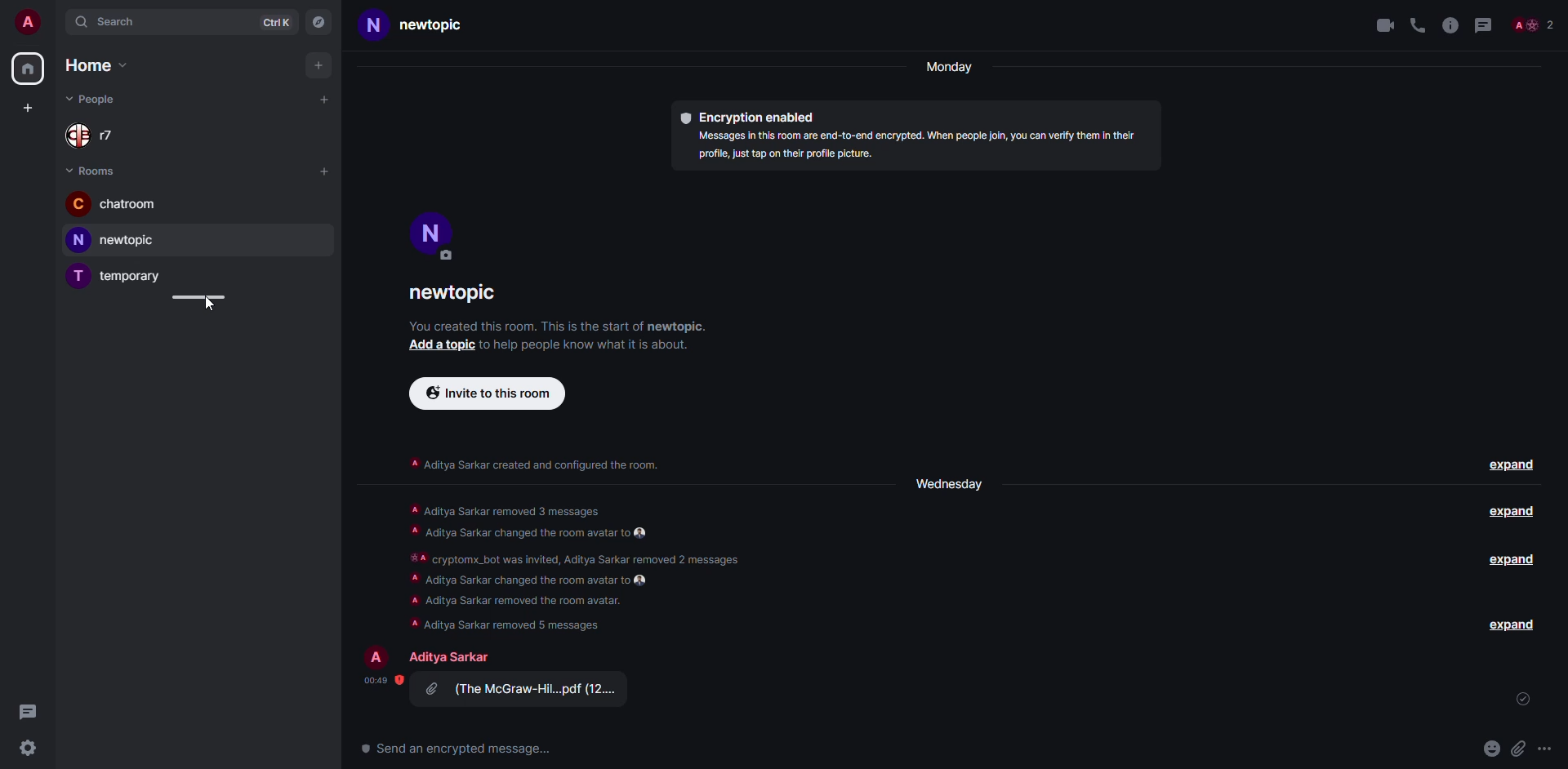 The width and height of the screenshot is (1568, 769). Describe the element at coordinates (1510, 513) in the screenshot. I see `expand` at that location.